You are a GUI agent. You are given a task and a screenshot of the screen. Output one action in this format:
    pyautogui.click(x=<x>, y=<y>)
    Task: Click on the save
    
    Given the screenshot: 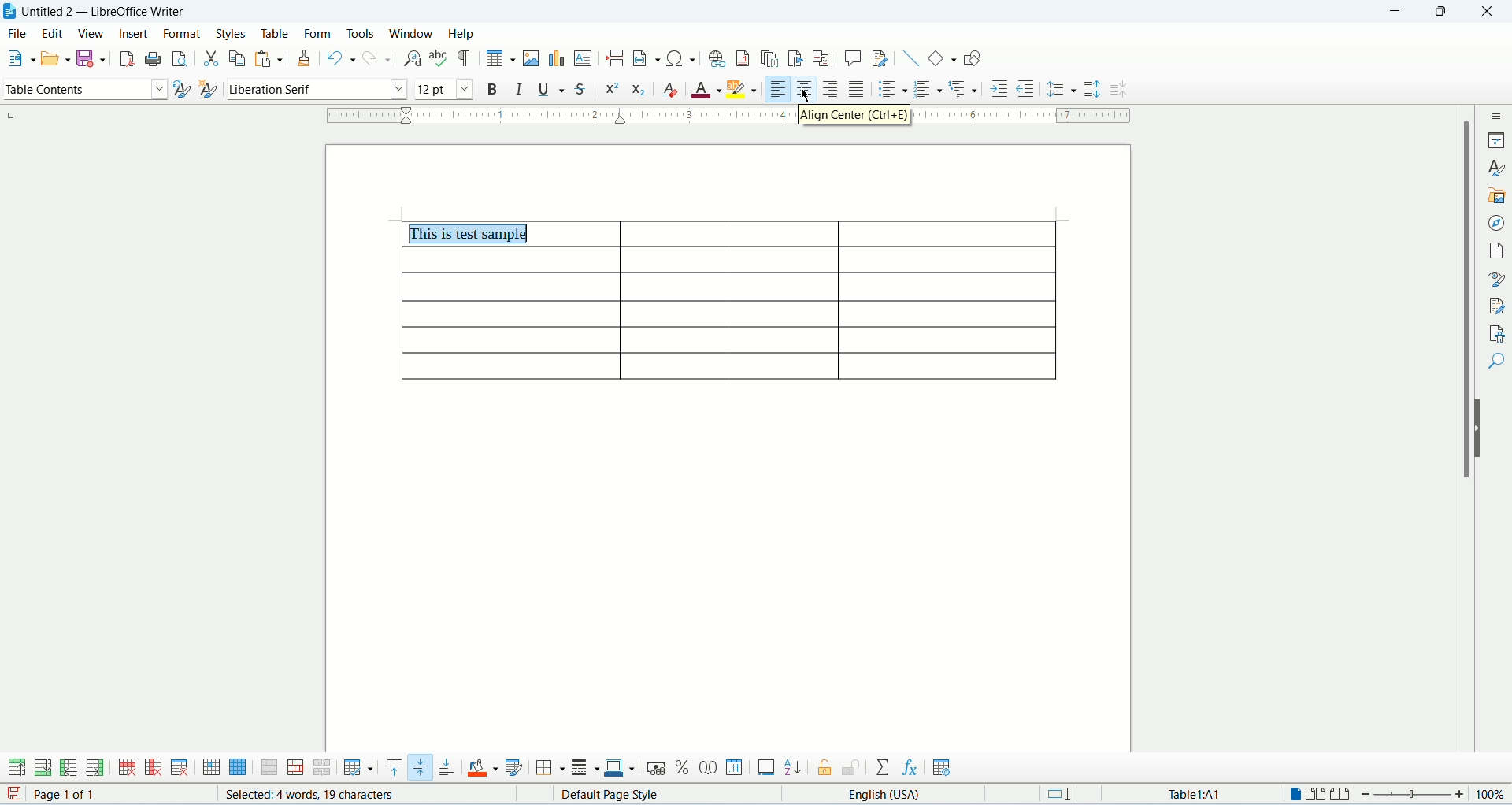 What is the action you would take?
    pyautogui.click(x=11, y=795)
    